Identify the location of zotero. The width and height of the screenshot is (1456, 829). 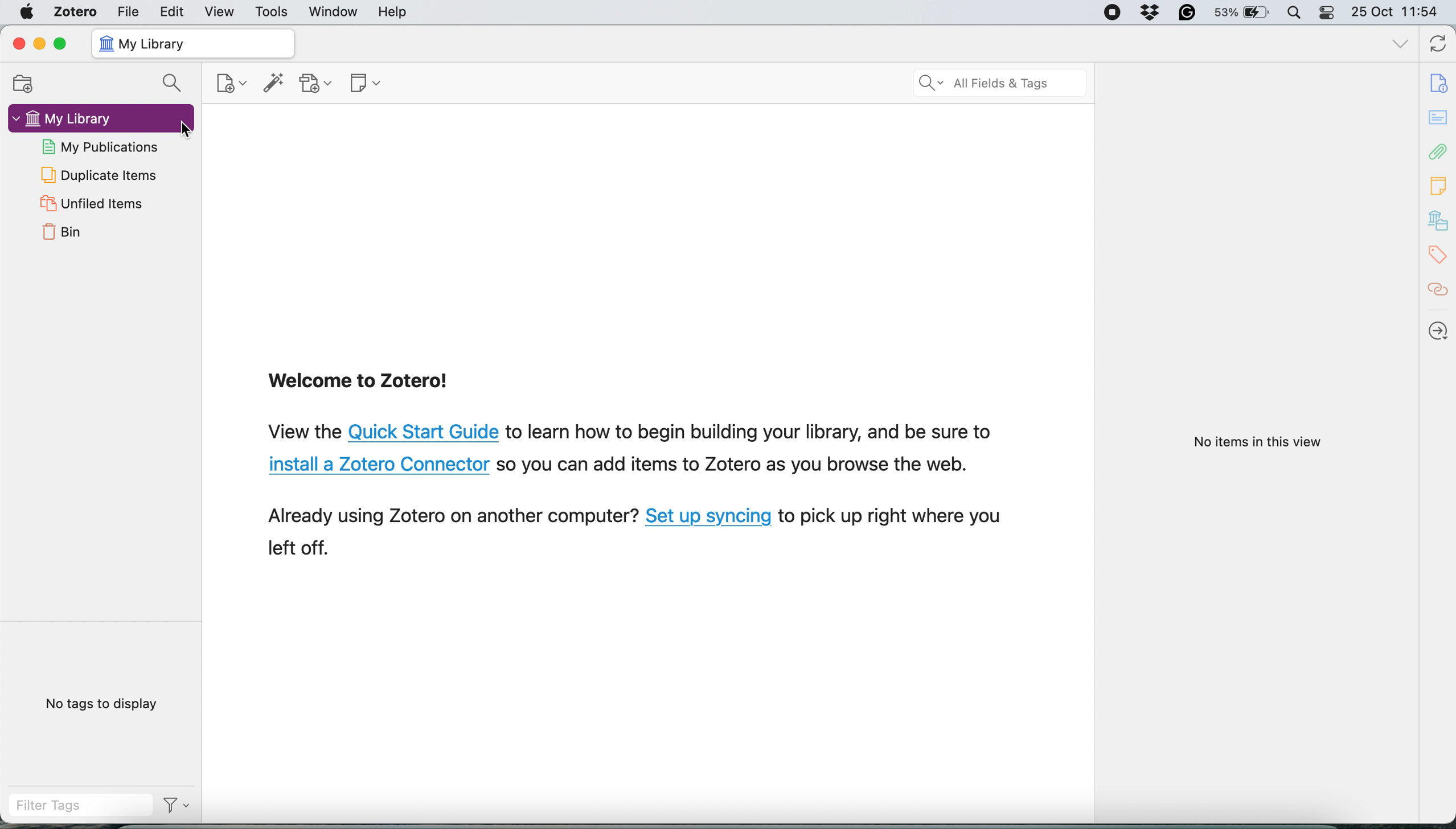
(75, 11).